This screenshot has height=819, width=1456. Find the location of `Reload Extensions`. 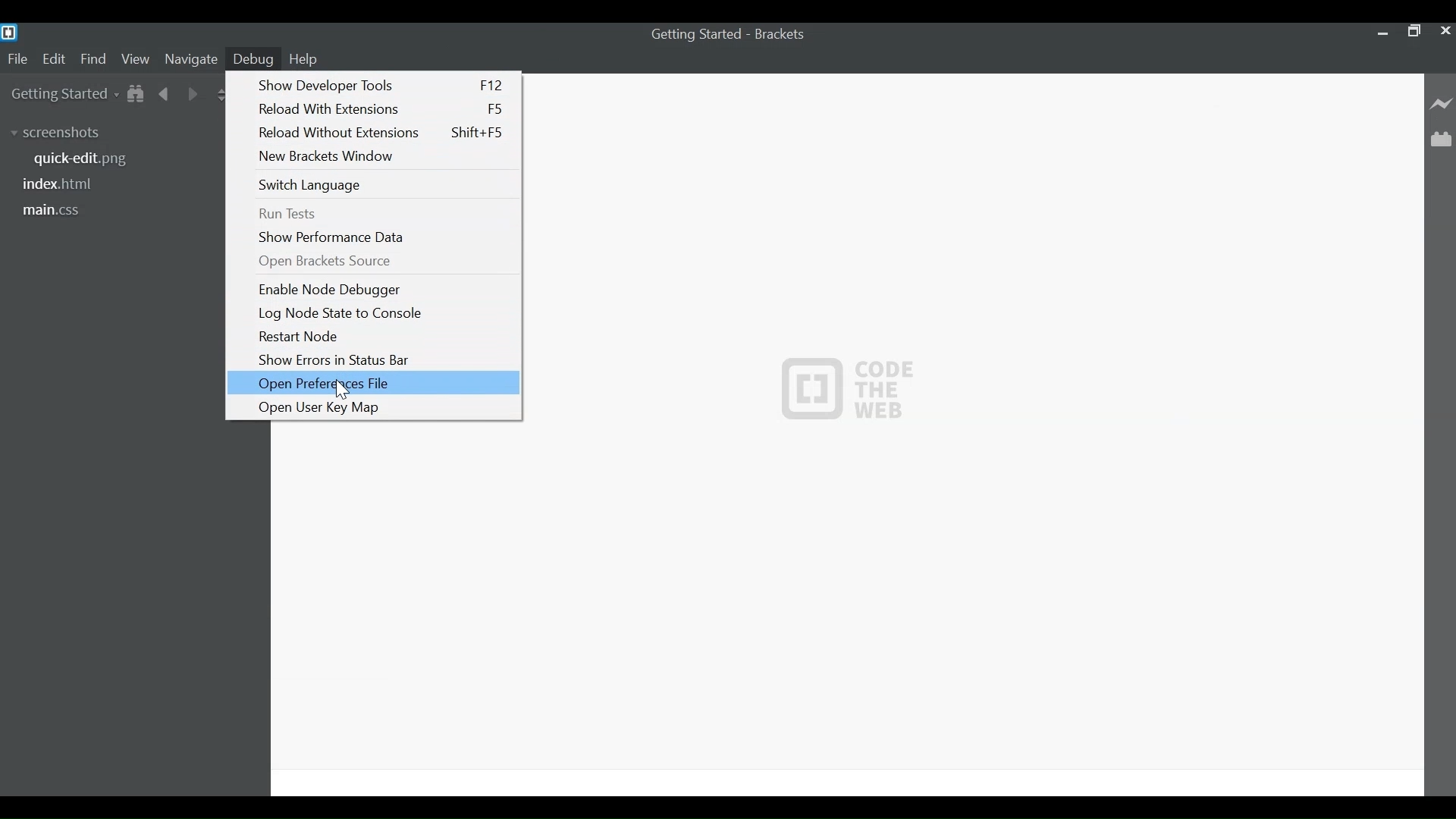

Reload Extensions is located at coordinates (381, 108).